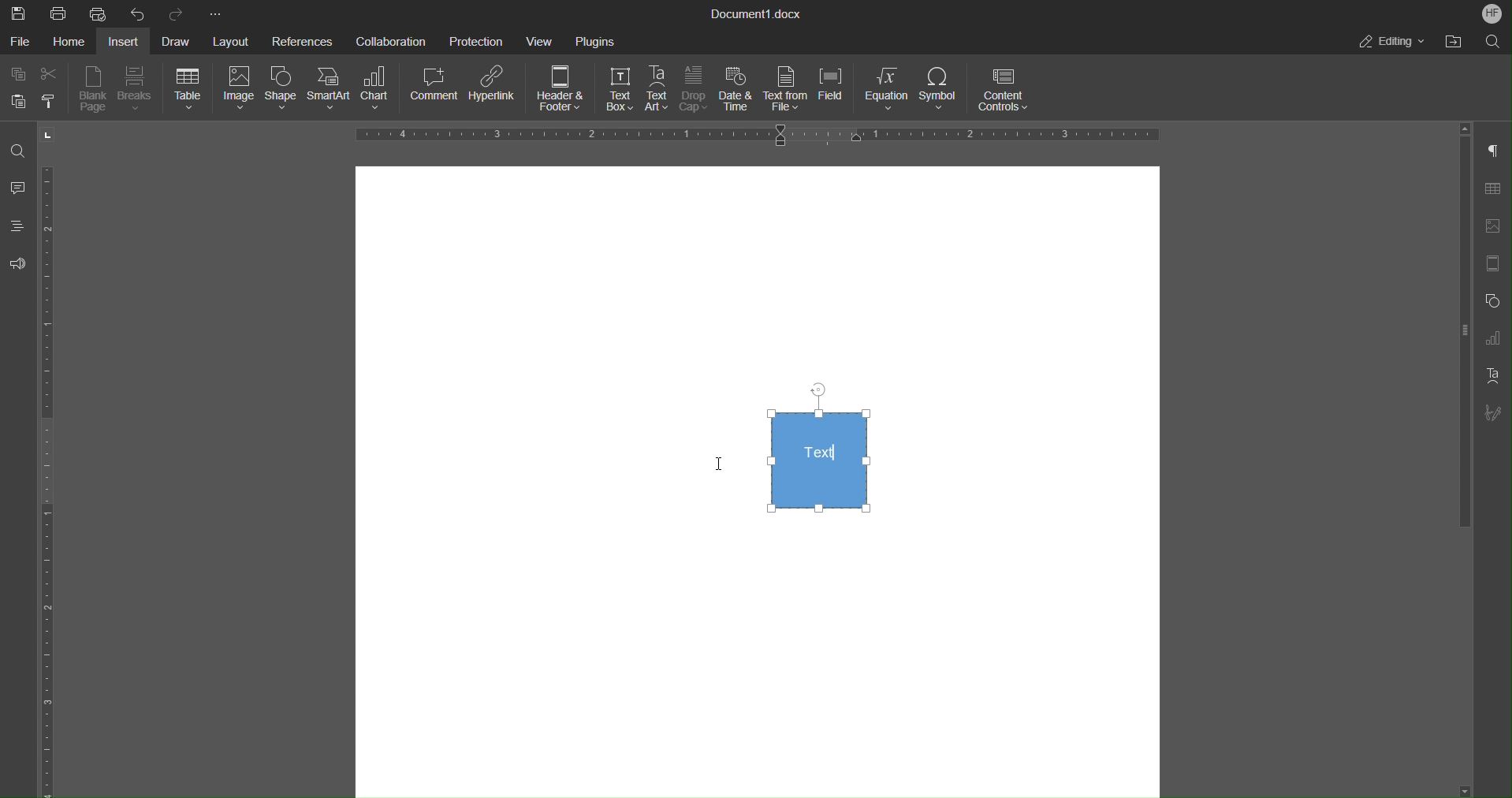 The image size is (1512, 798). Describe the element at coordinates (188, 90) in the screenshot. I see `Table` at that location.